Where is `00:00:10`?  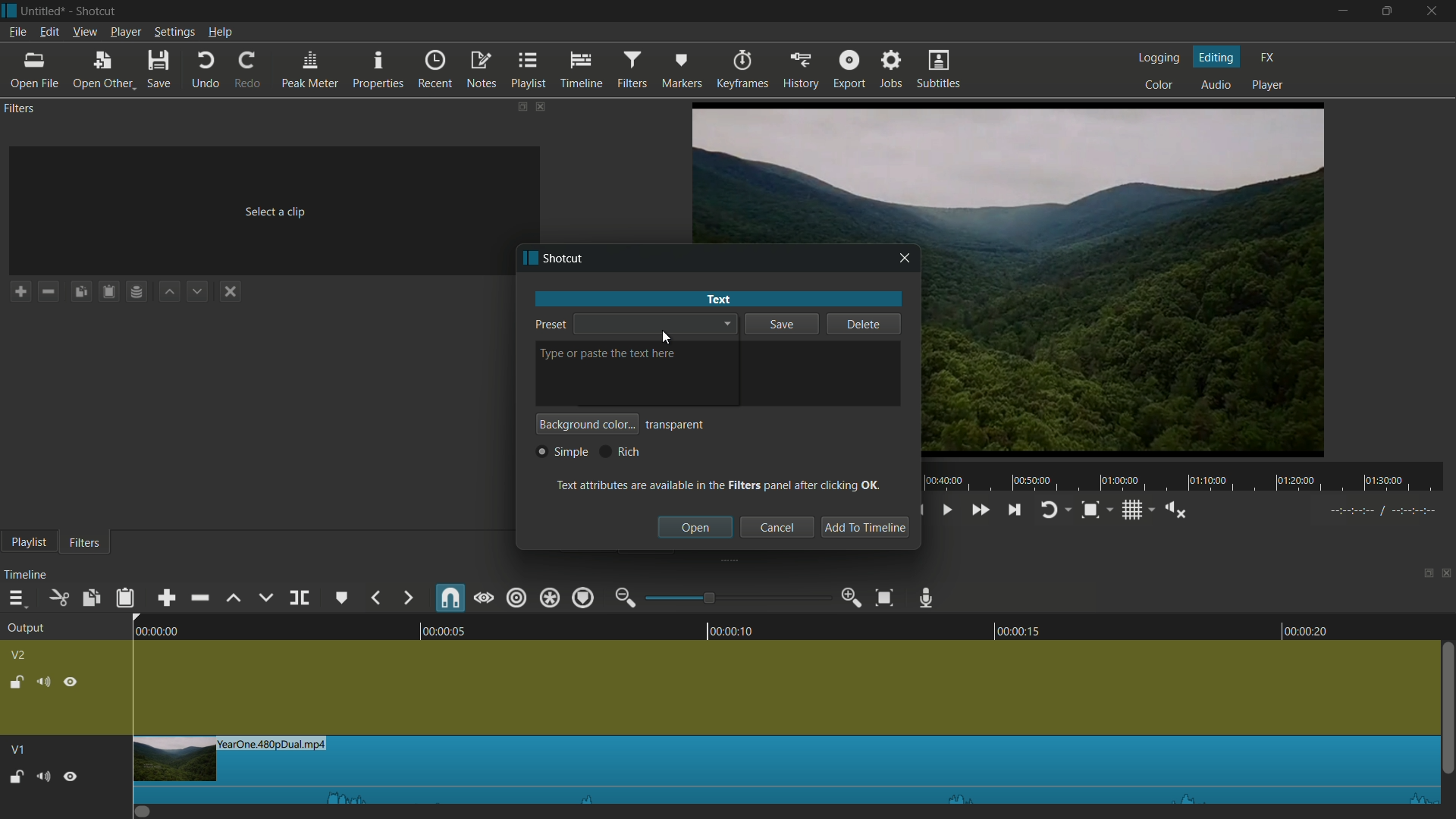 00:00:10 is located at coordinates (734, 629).